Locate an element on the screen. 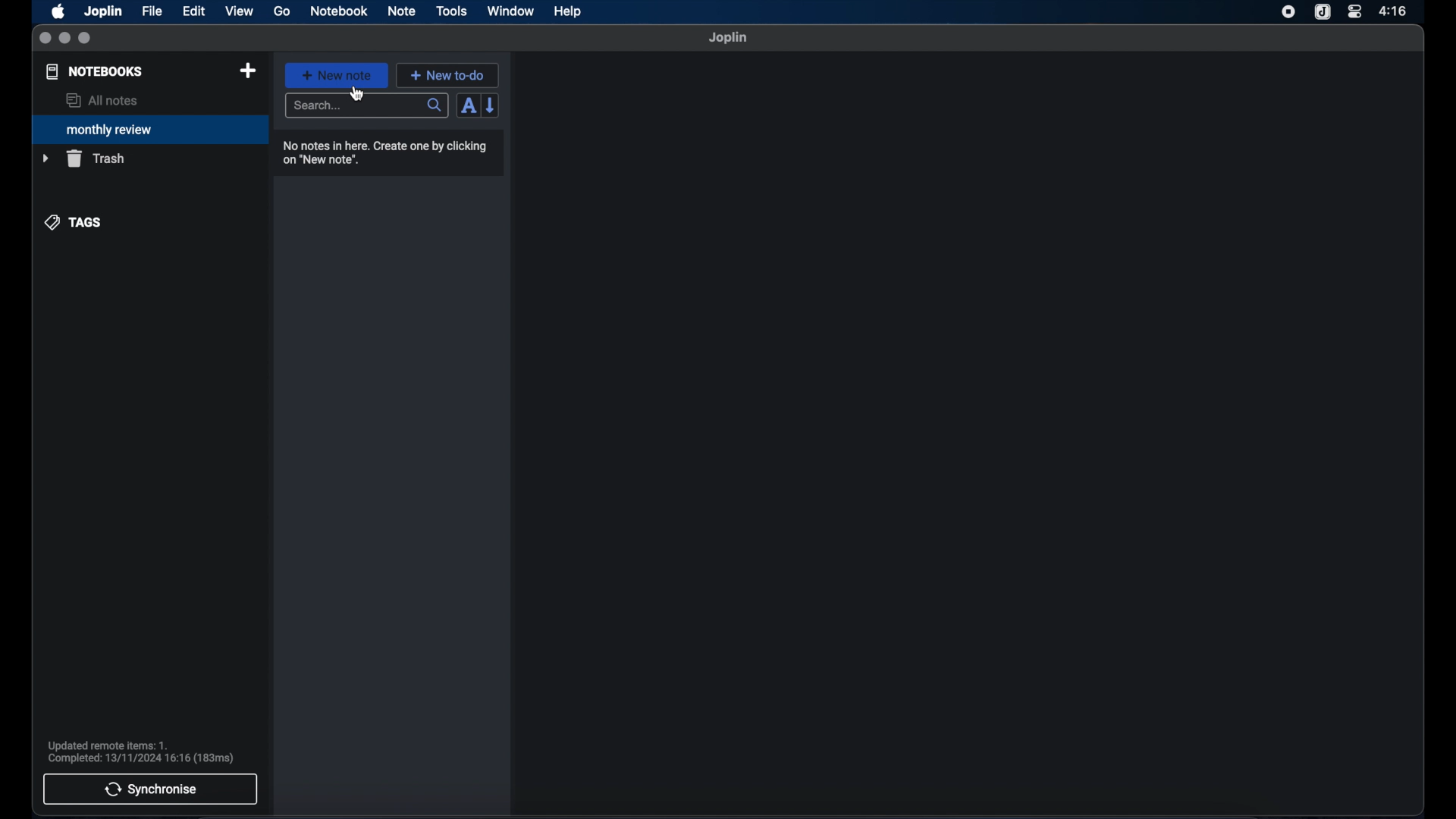 Image resolution: width=1456 pixels, height=819 pixels. help is located at coordinates (569, 11).